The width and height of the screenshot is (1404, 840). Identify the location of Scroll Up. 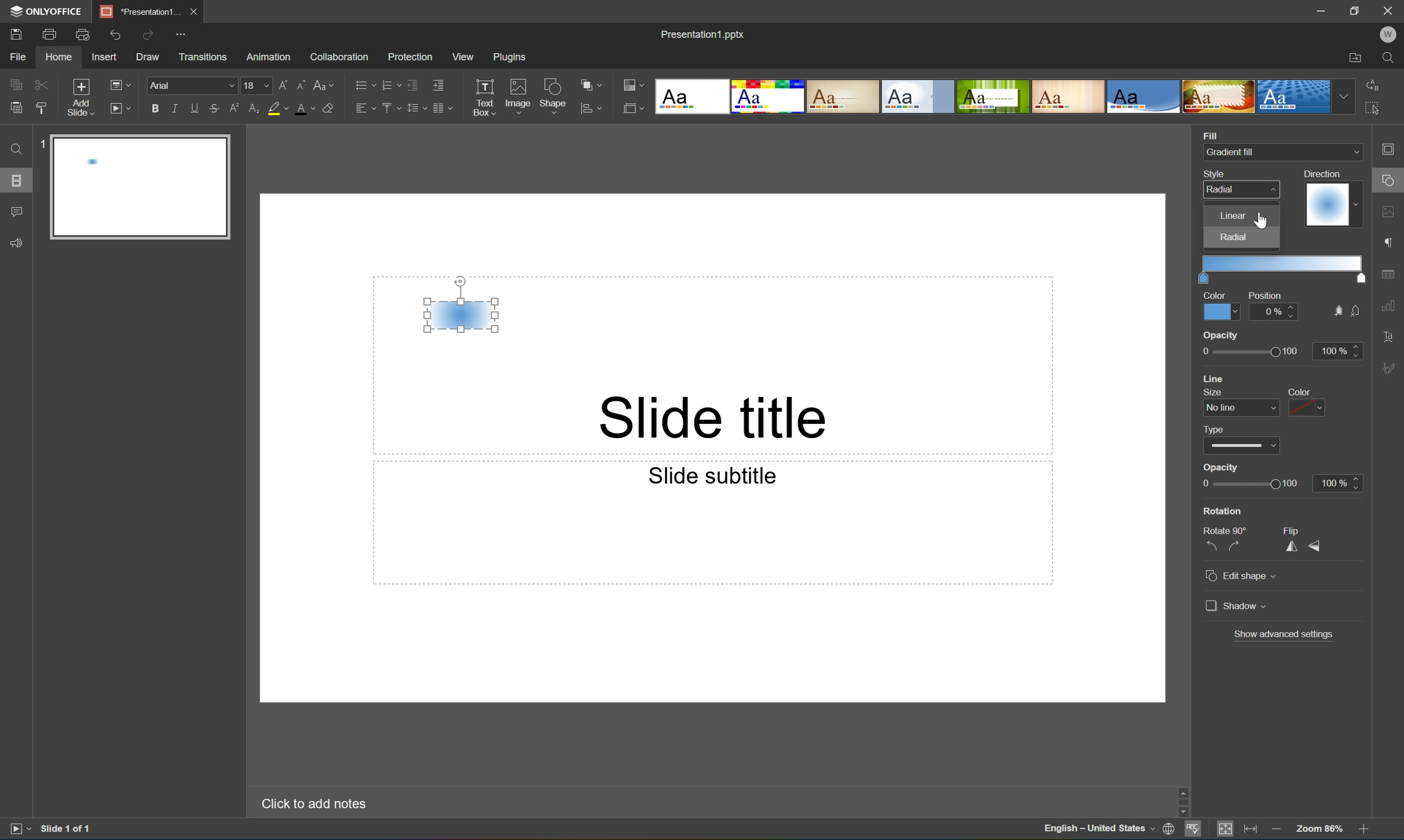
(1363, 786).